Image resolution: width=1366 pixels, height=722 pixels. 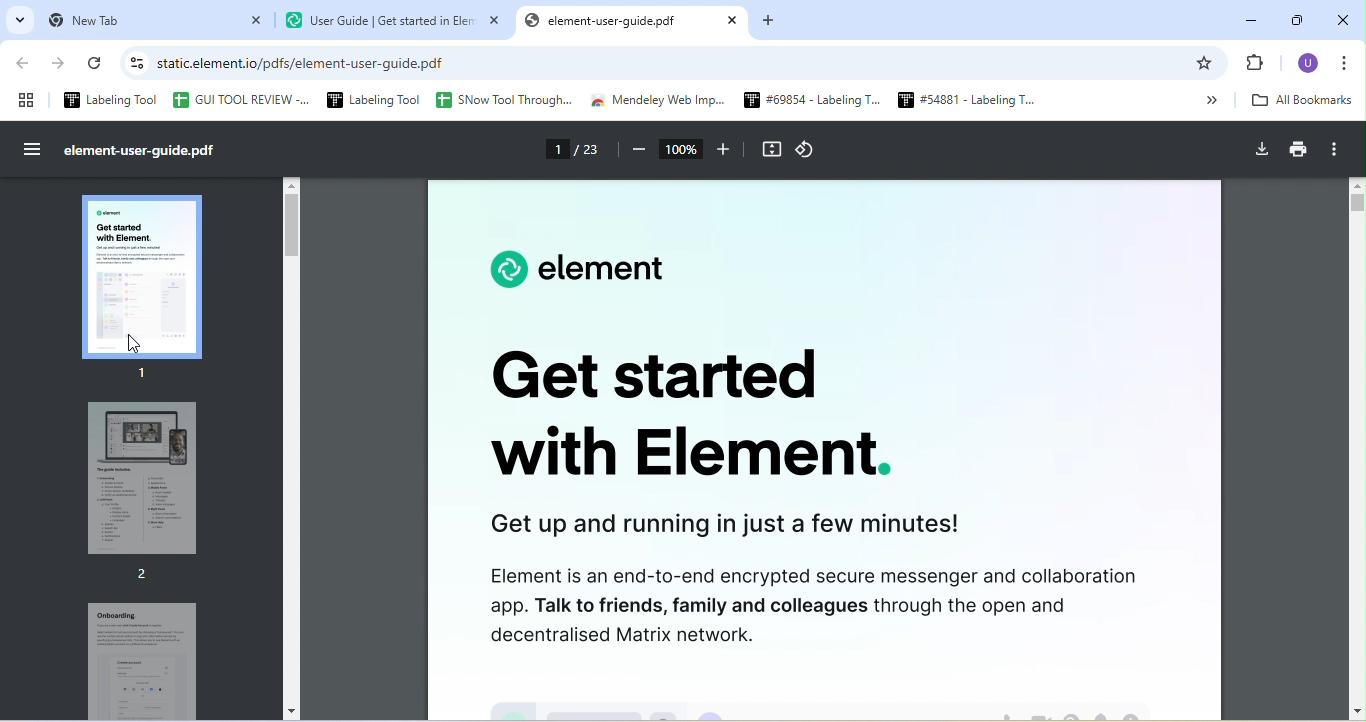 What do you see at coordinates (659, 102) in the screenshot?
I see `Mendeley Web Imp...` at bounding box center [659, 102].